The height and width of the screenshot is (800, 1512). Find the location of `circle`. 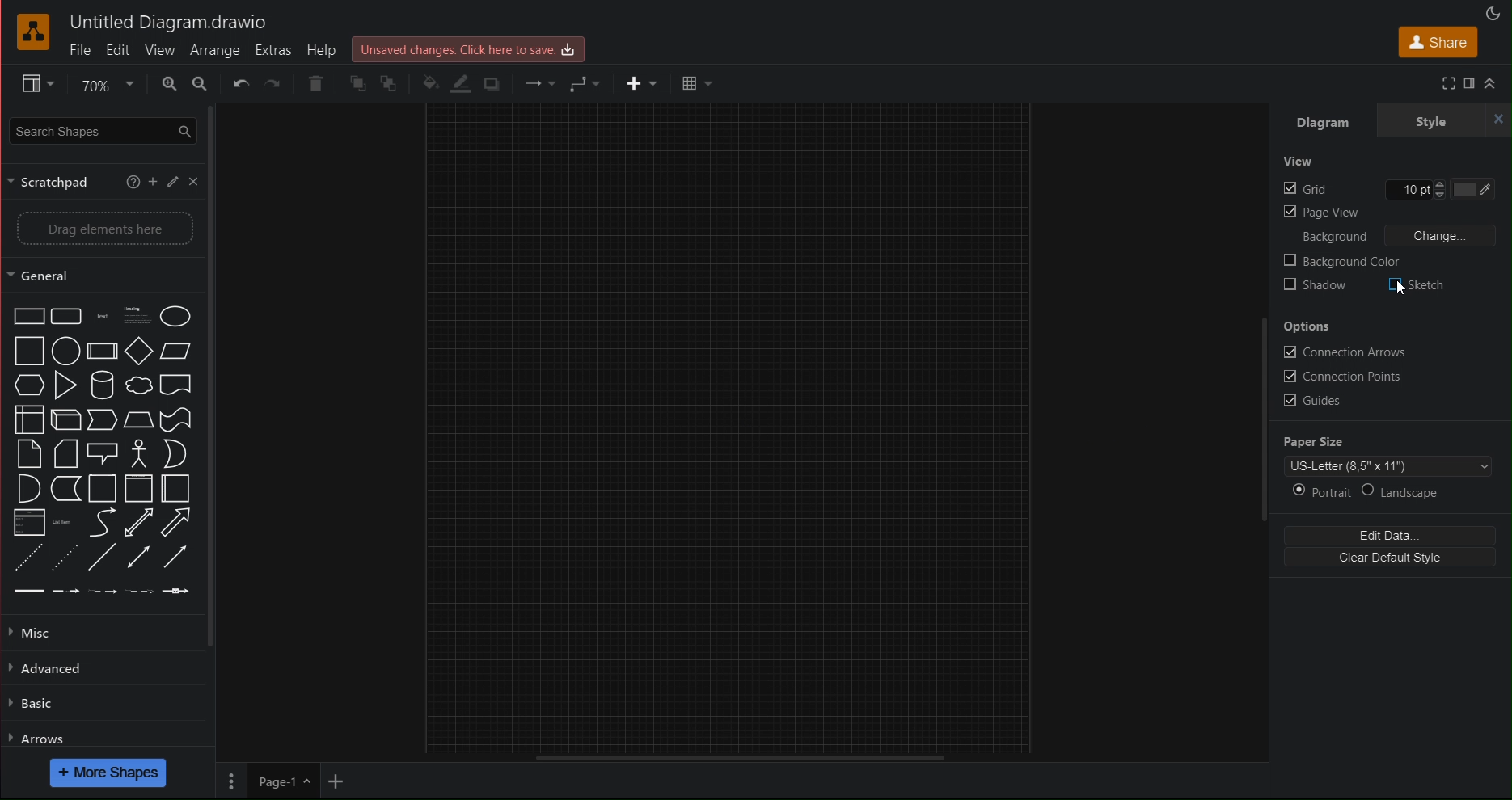

circle is located at coordinates (66, 351).